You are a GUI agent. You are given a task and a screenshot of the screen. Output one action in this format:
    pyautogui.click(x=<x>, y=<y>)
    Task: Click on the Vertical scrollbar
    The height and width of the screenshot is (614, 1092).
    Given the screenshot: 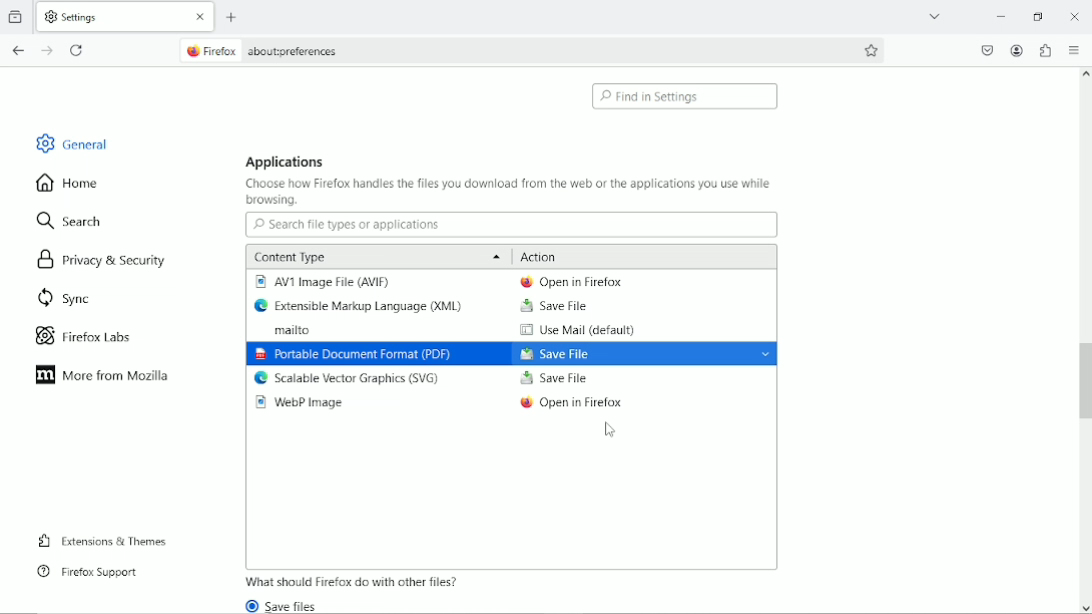 What is the action you would take?
    pyautogui.click(x=1084, y=382)
    